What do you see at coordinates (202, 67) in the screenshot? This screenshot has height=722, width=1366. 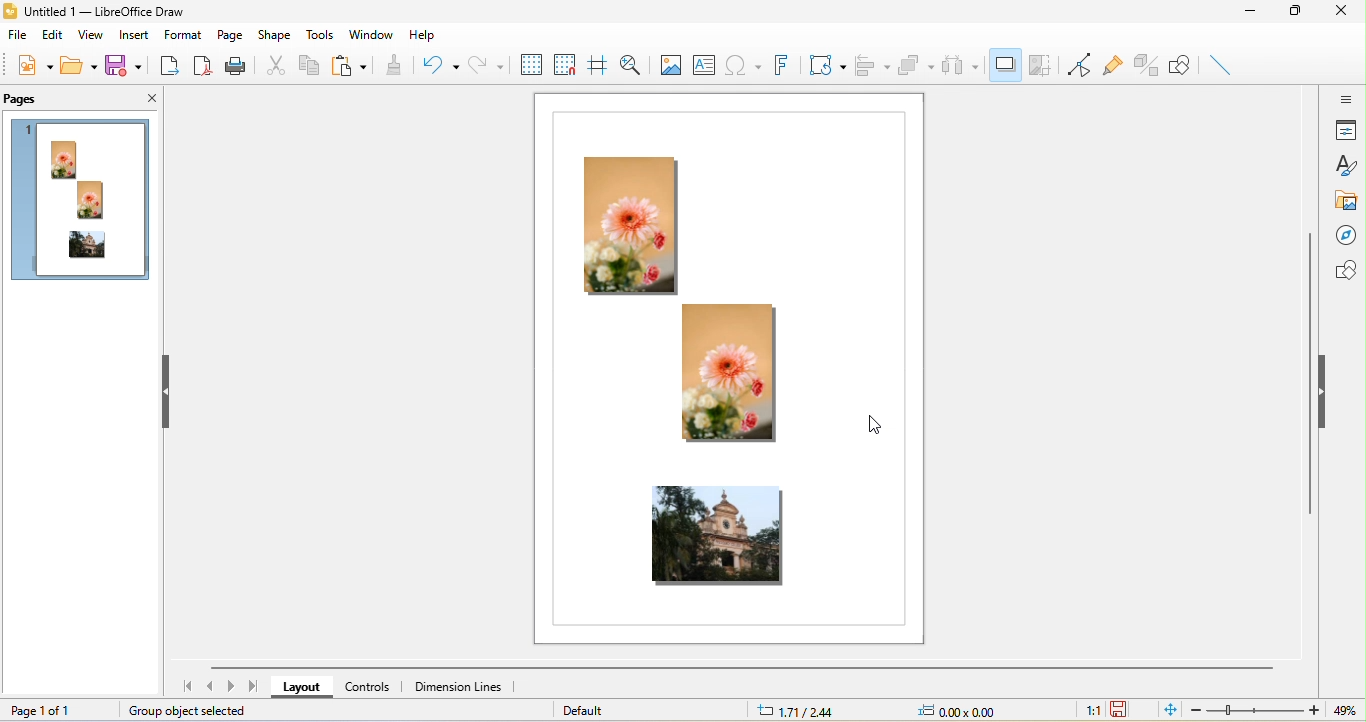 I see `export directly as pdf` at bounding box center [202, 67].